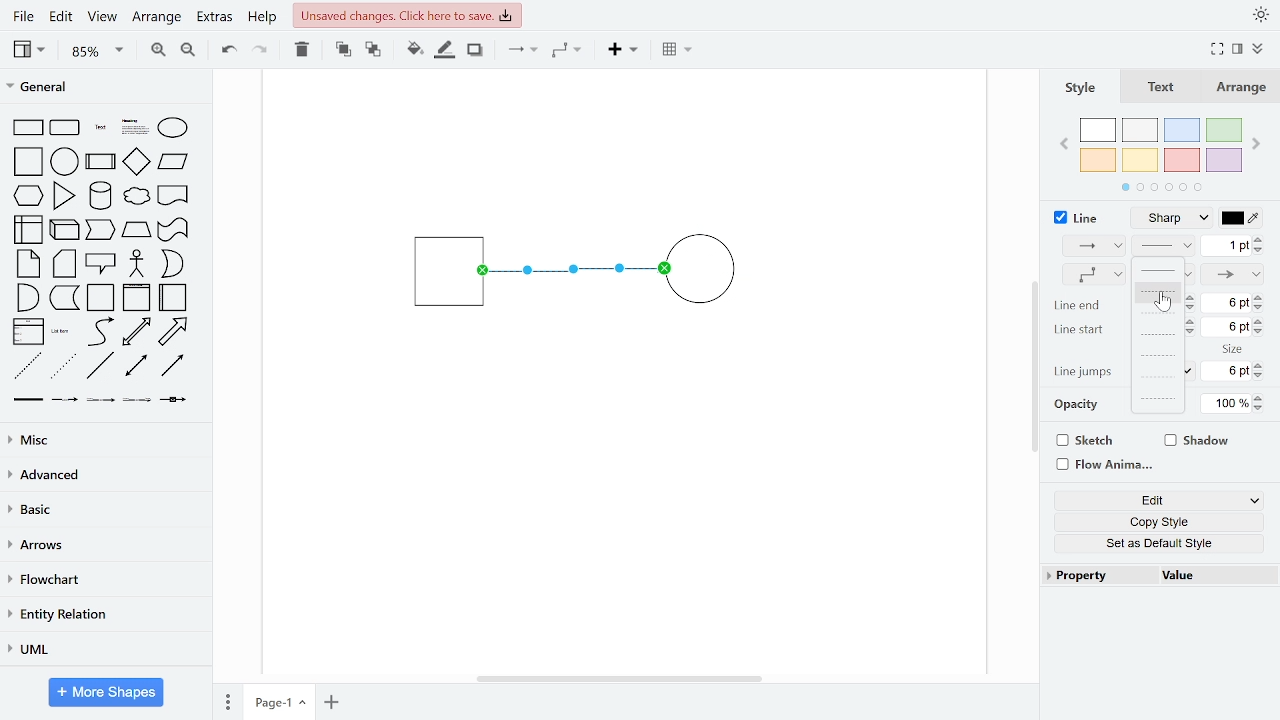  Describe the element at coordinates (1077, 407) in the screenshot. I see `opacity` at that location.